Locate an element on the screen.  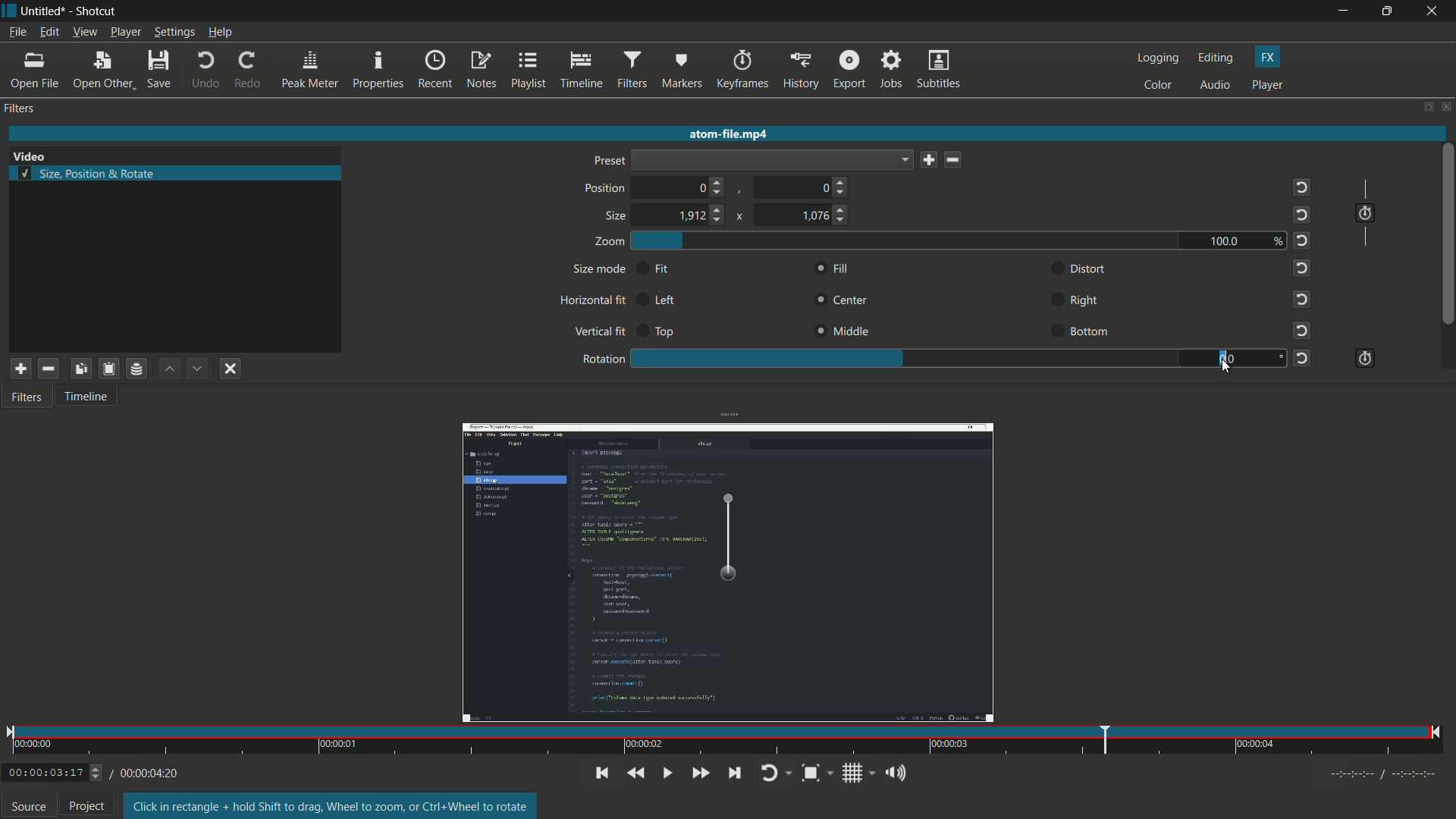
cursor is located at coordinates (1225, 367).